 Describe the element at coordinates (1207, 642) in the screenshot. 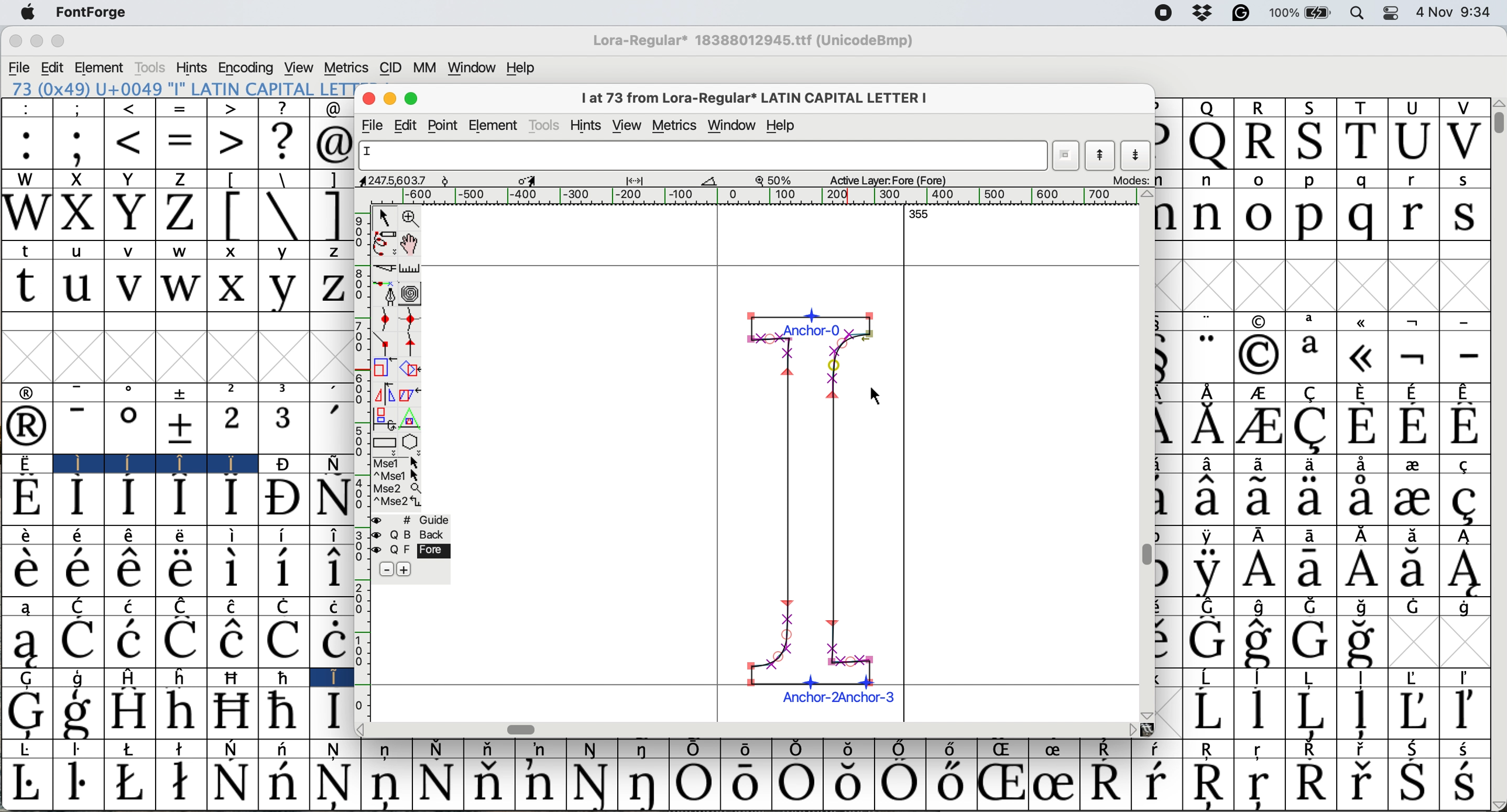

I see `Symbol` at that location.